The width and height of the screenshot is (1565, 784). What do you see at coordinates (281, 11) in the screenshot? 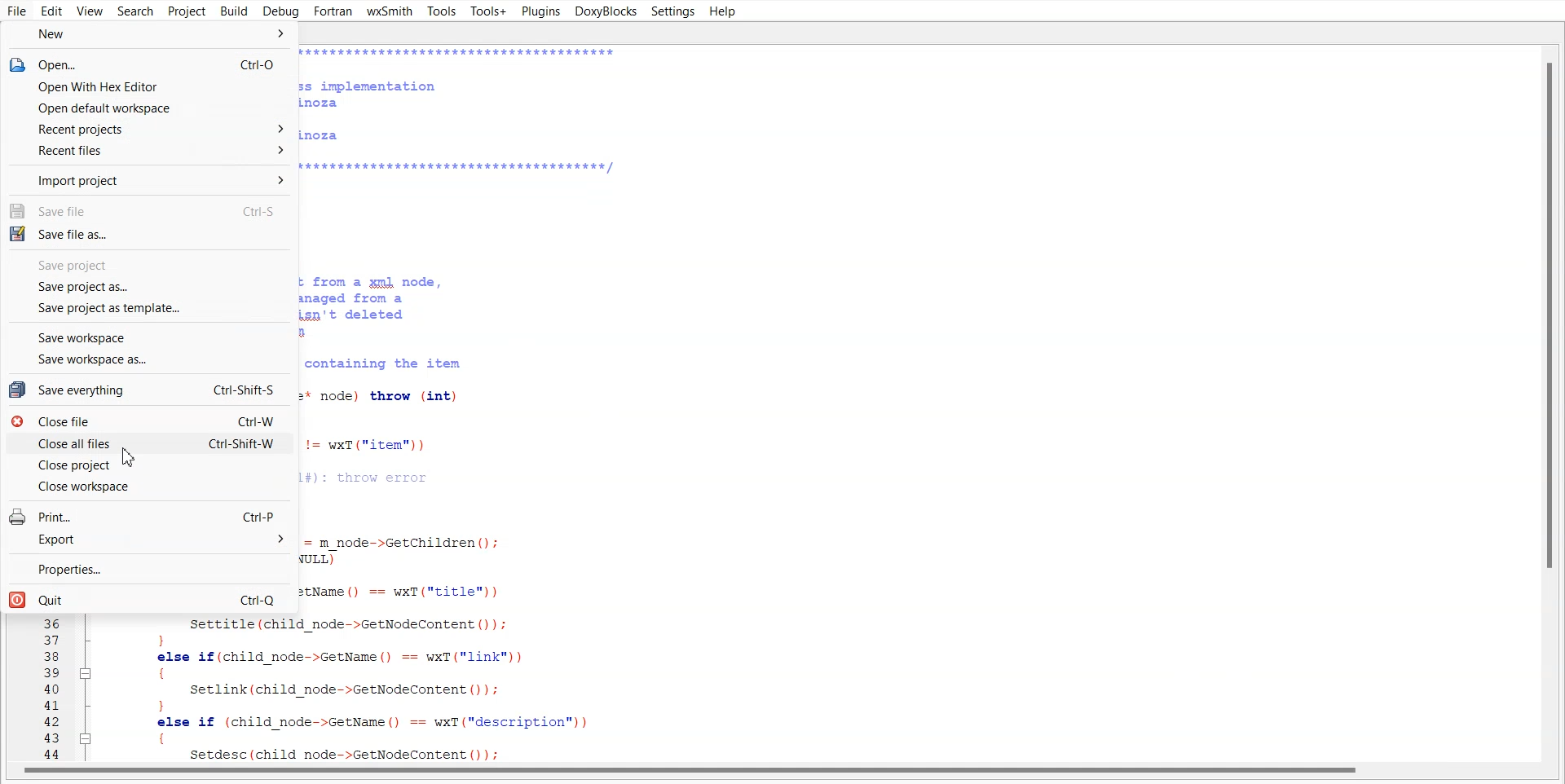
I see `Debug` at bounding box center [281, 11].